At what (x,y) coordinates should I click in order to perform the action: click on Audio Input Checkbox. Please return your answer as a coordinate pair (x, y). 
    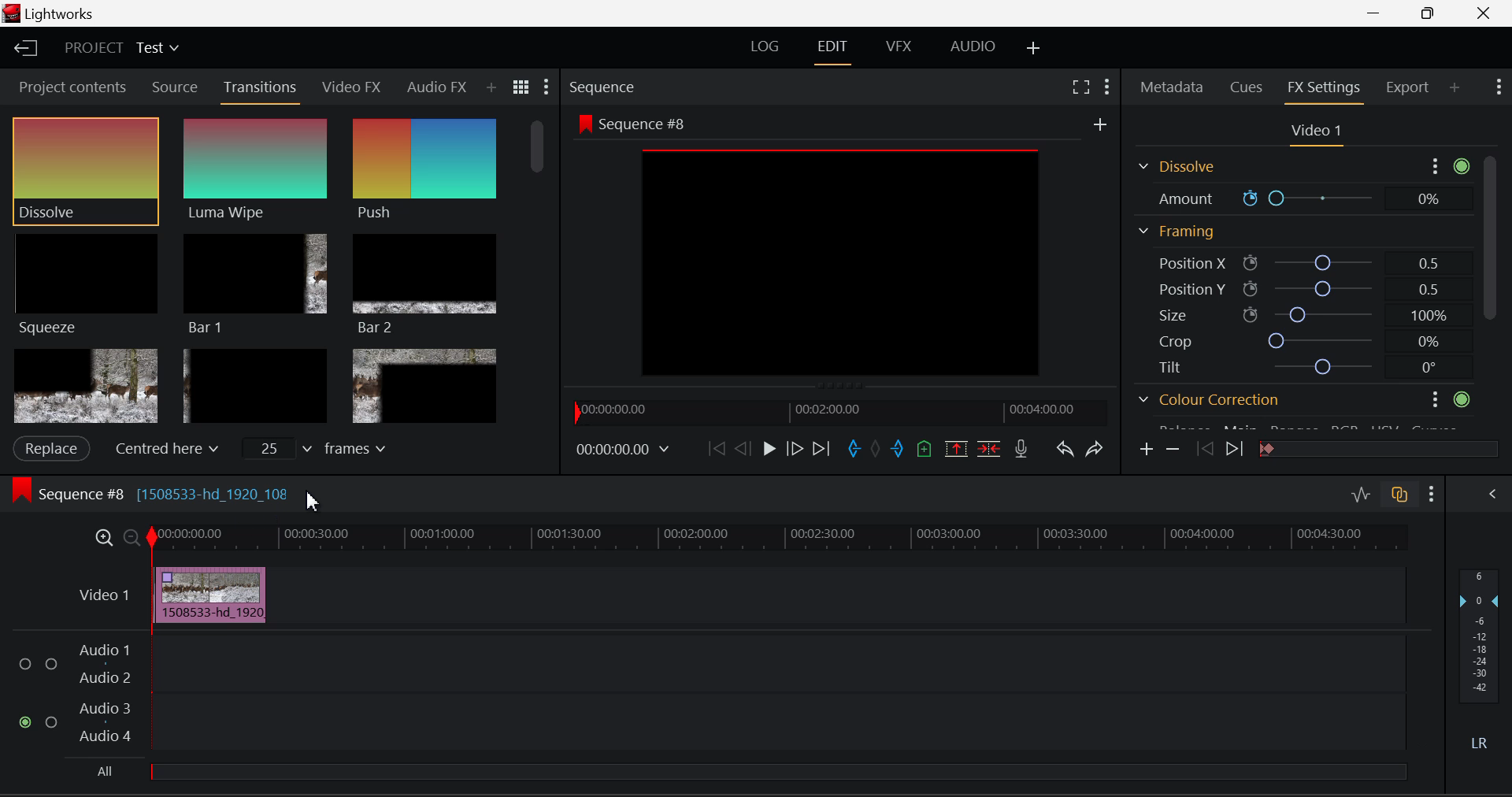
    Looking at the image, I should click on (51, 721).